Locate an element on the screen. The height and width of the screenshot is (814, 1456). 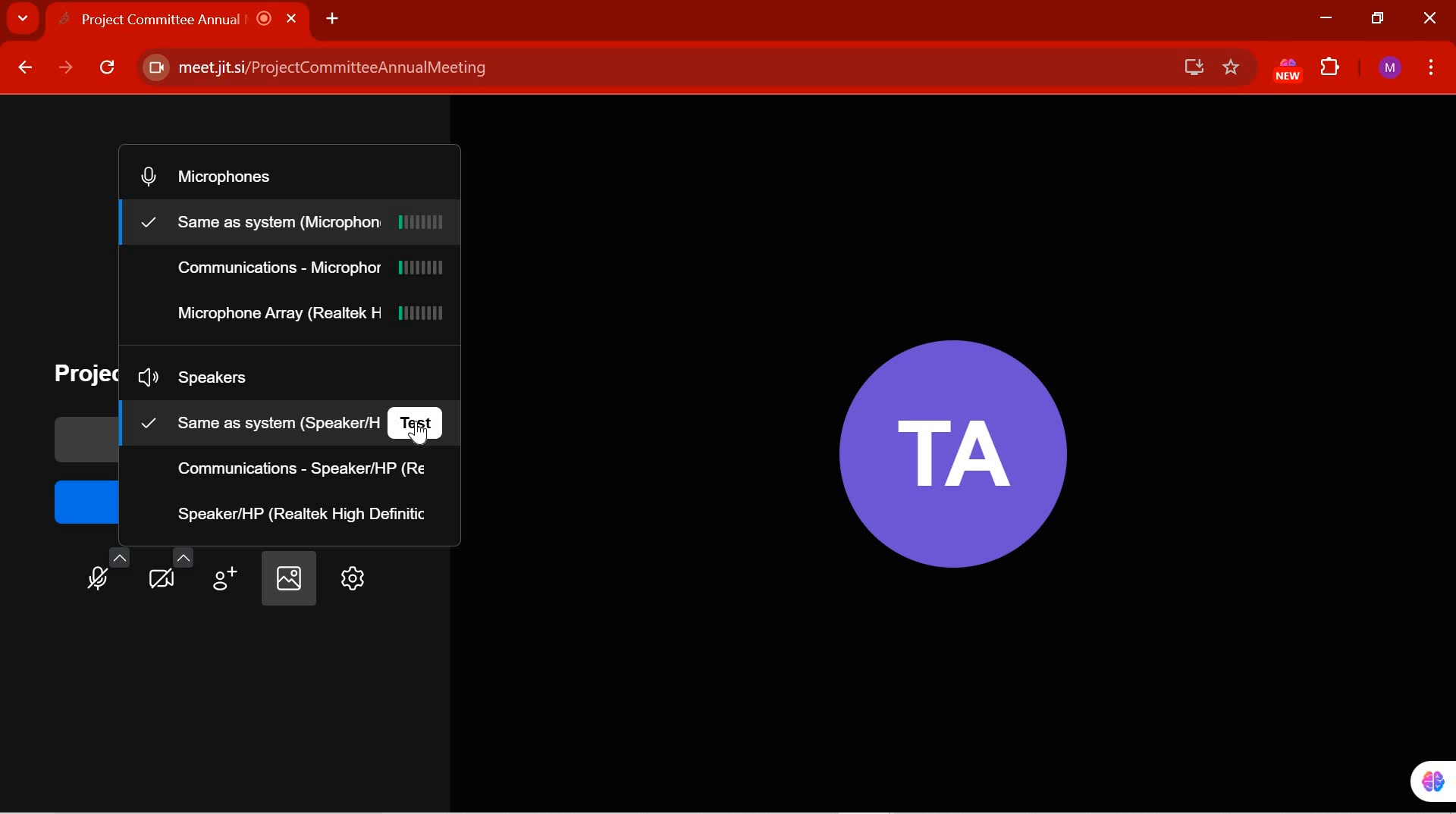
ACCOUNT NAME is located at coordinates (1390, 69).